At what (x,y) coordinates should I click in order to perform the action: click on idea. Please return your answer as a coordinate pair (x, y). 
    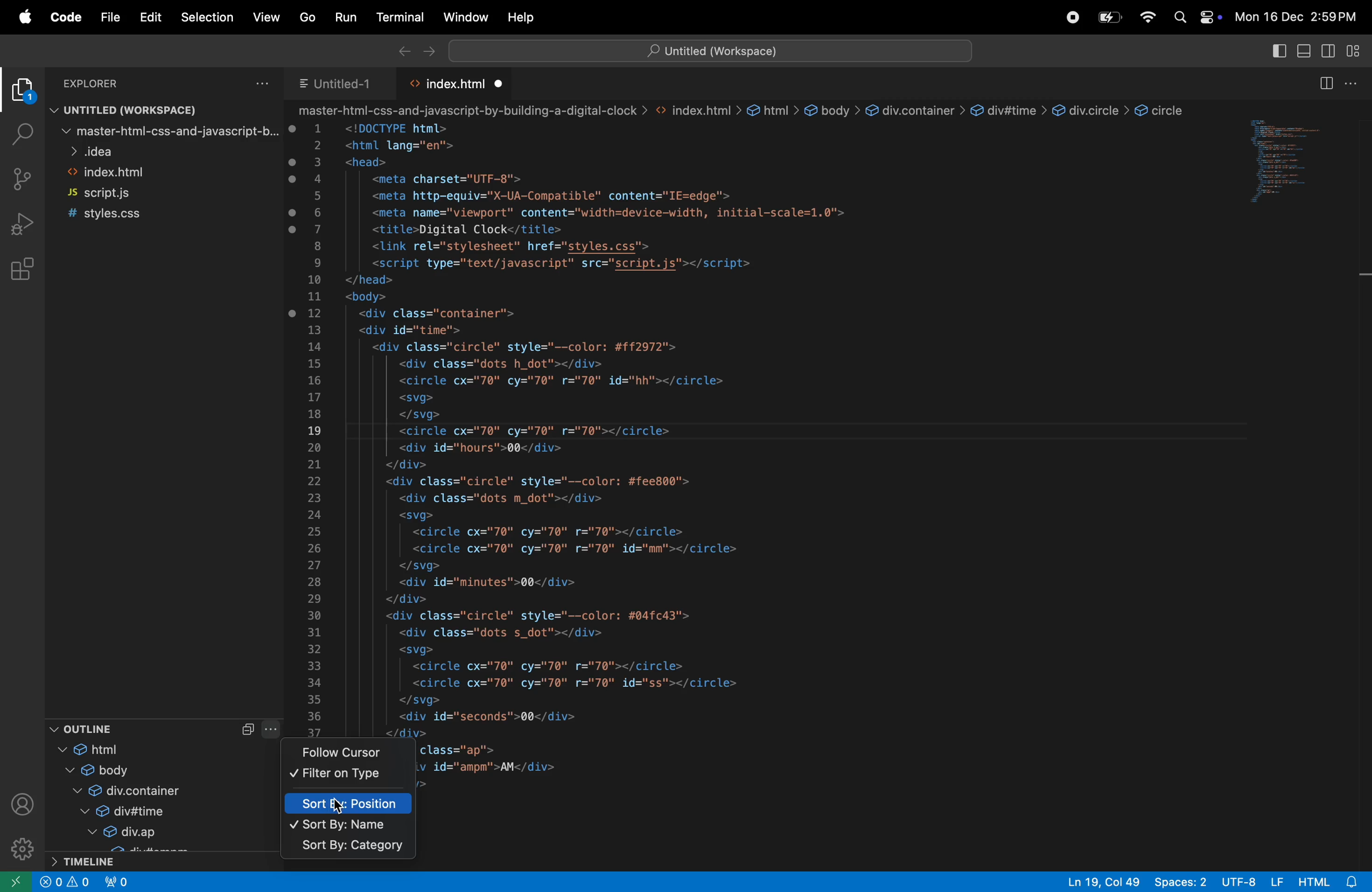
    Looking at the image, I should click on (168, 150).